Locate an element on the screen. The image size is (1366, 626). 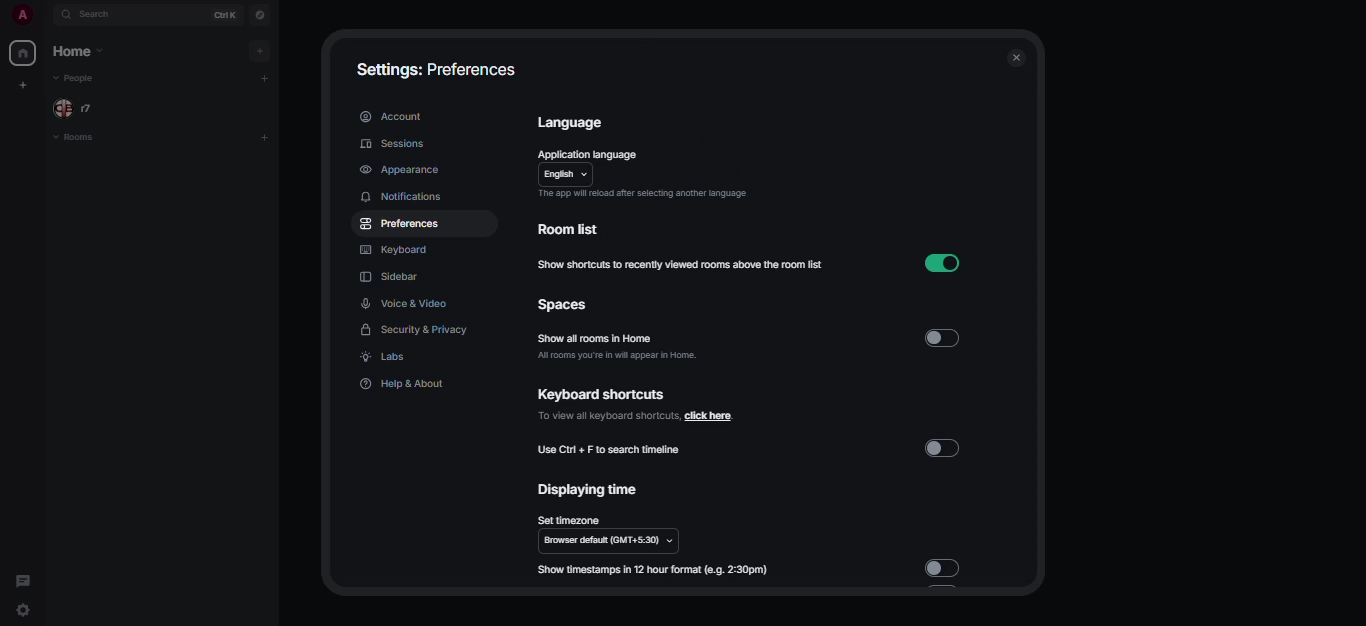
disabled is located at coordinates (944, 447).